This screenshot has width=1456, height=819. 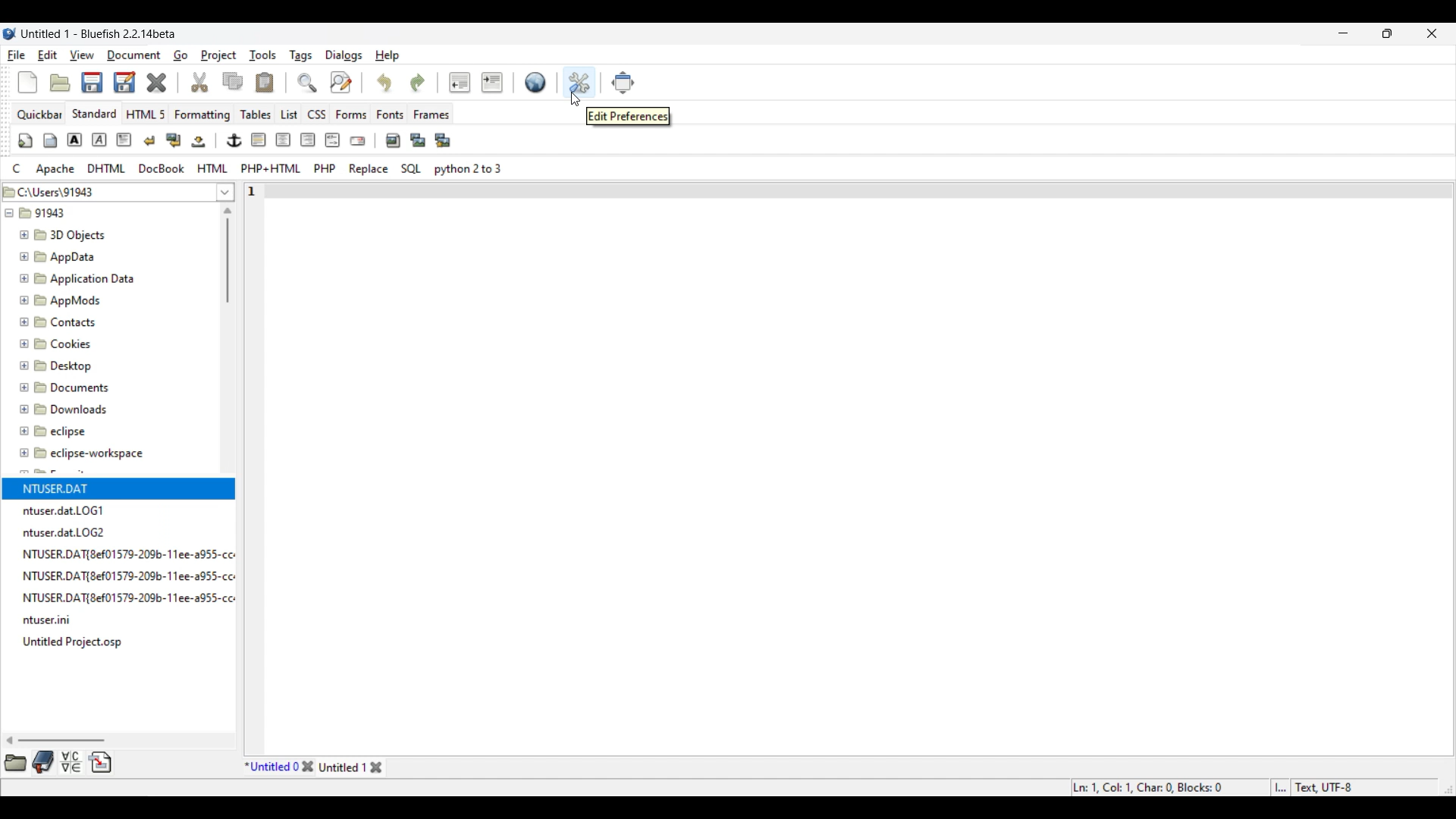 What do you see at coordinates (61, 256) in the screenshot?
I see `AppData` at bounding box center [61, 256].